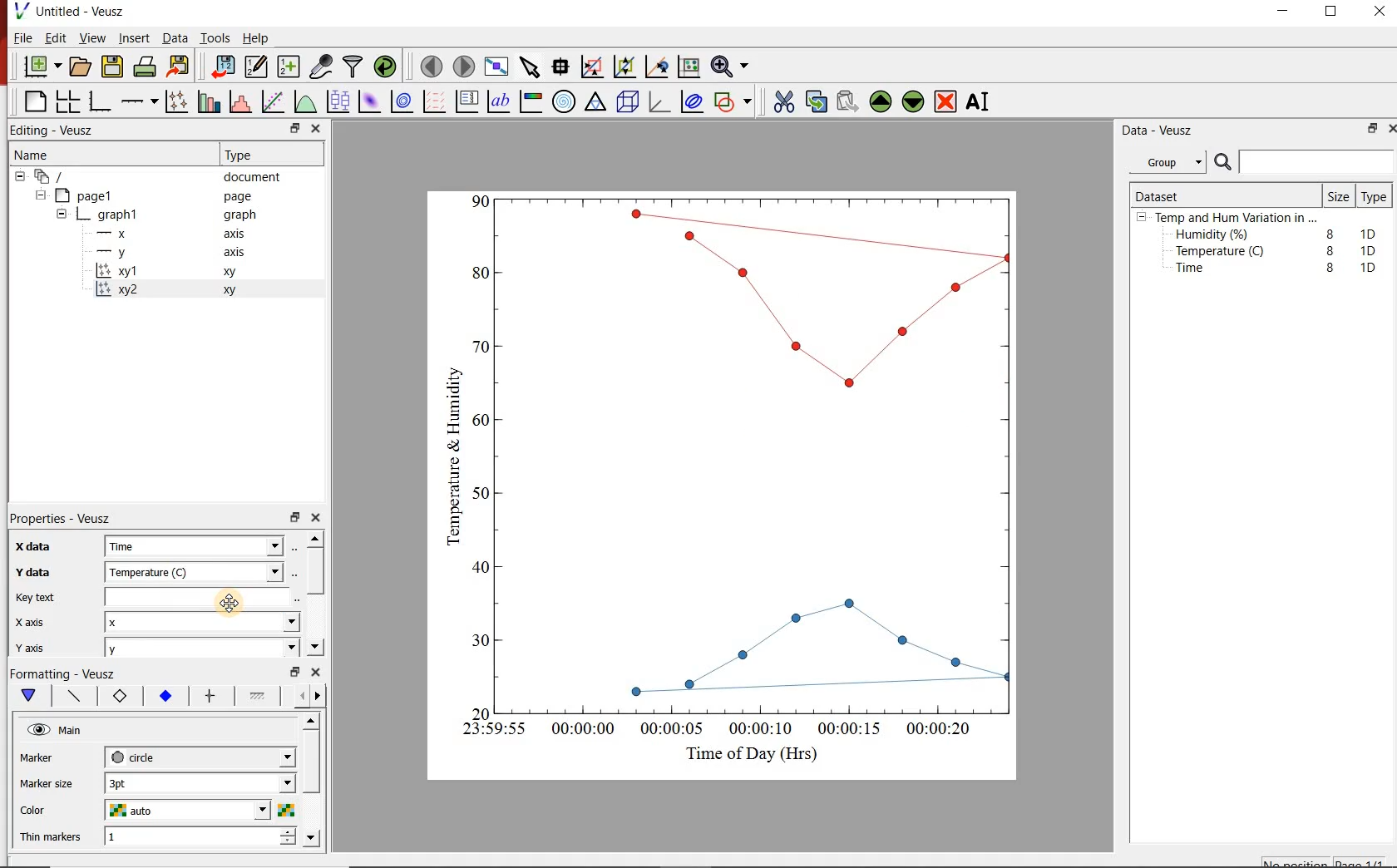  Describe the element at coordinates (487, 730) in the screenshot. I see `23:59:55` at that location.